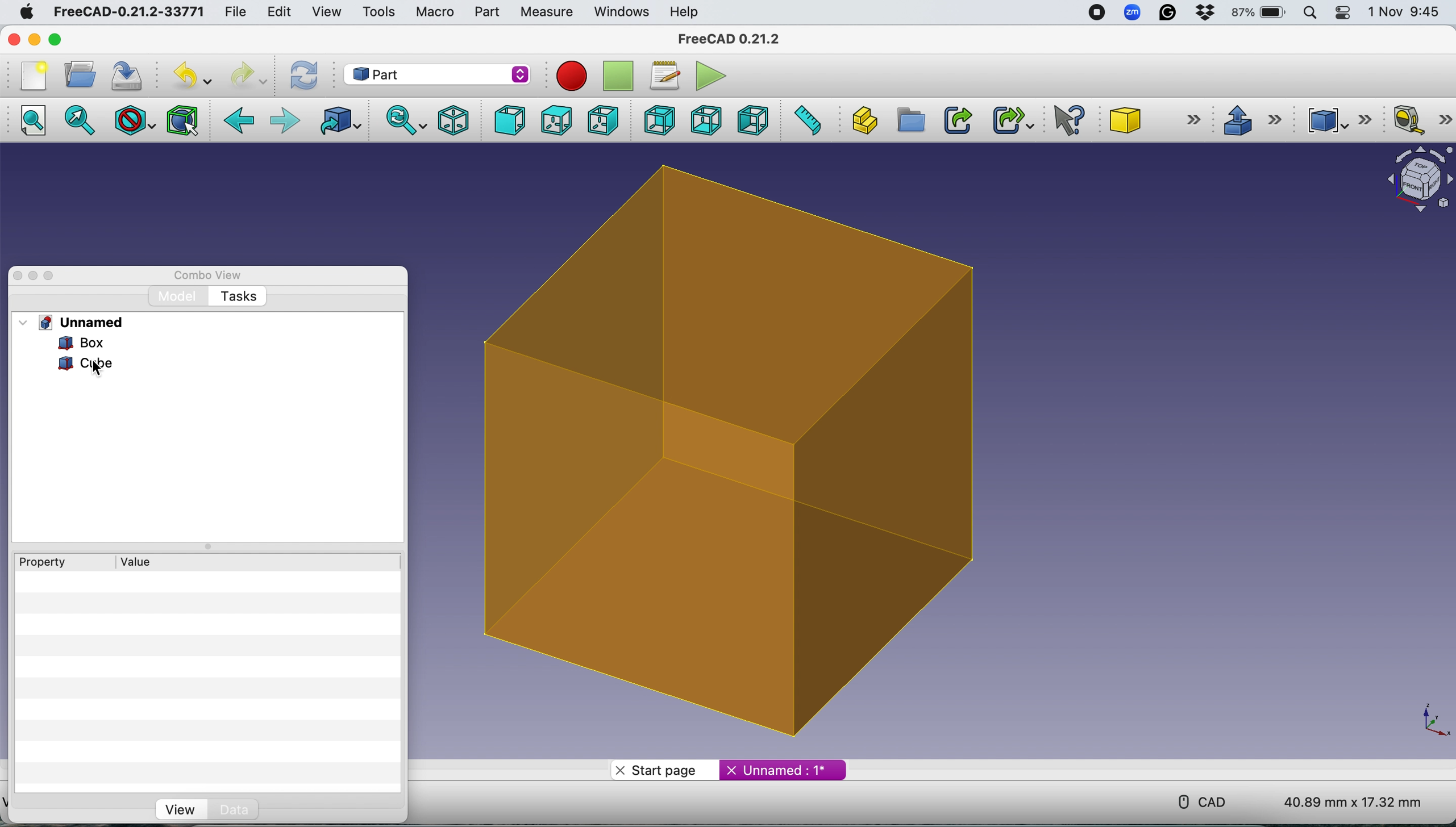 Image resolution: width=1456 pixels, height=827 pixels. What do you see at coordinates (130, 73) in the screenshot?
I see `Save` at bounding box center [130, 73].